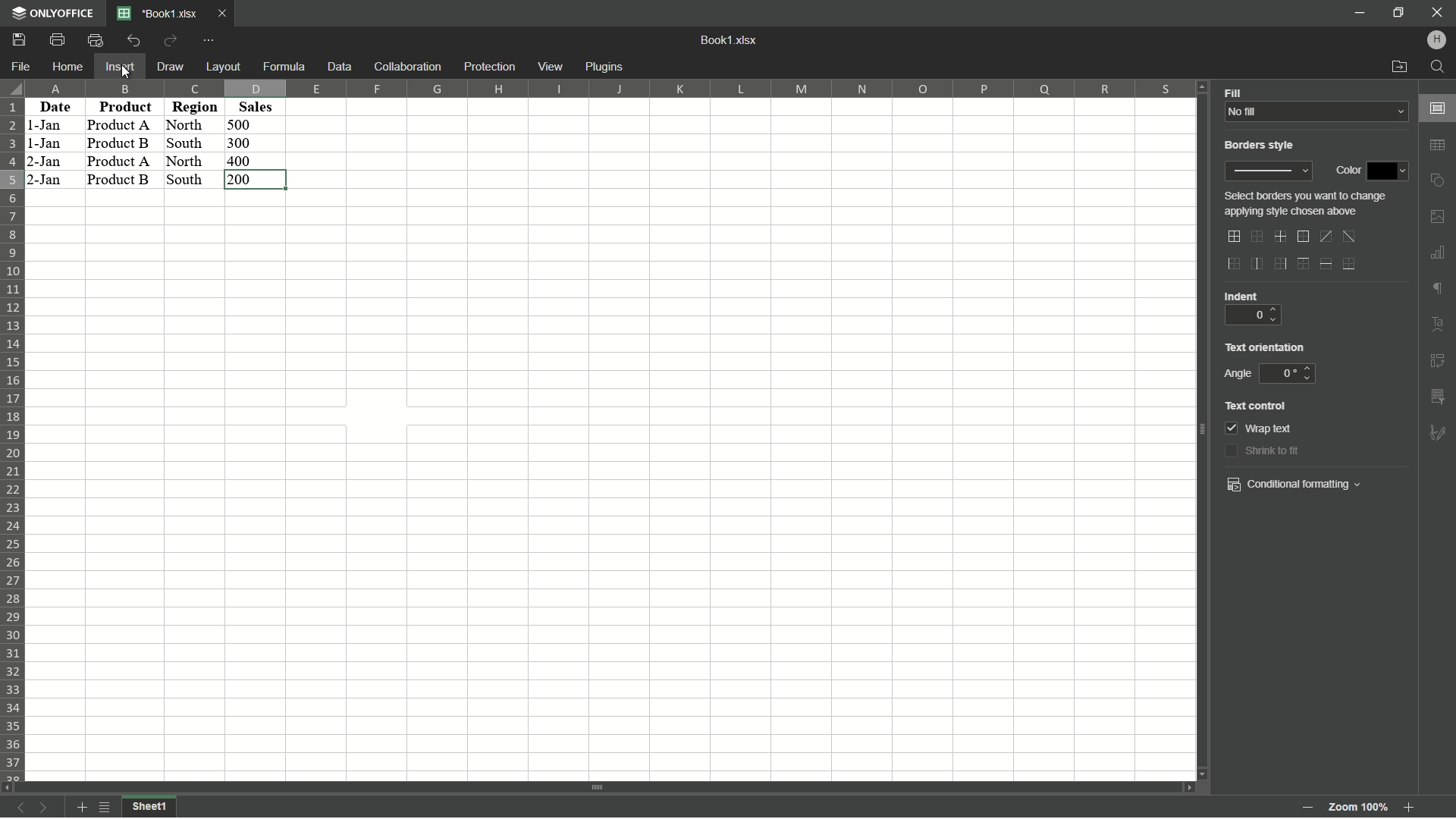 Image resolution: width=1456 pixels, height=819 pixels. Describe the element at coordinates (1231, 237) in the screenshot. I see `outer and inner lines` at that location.